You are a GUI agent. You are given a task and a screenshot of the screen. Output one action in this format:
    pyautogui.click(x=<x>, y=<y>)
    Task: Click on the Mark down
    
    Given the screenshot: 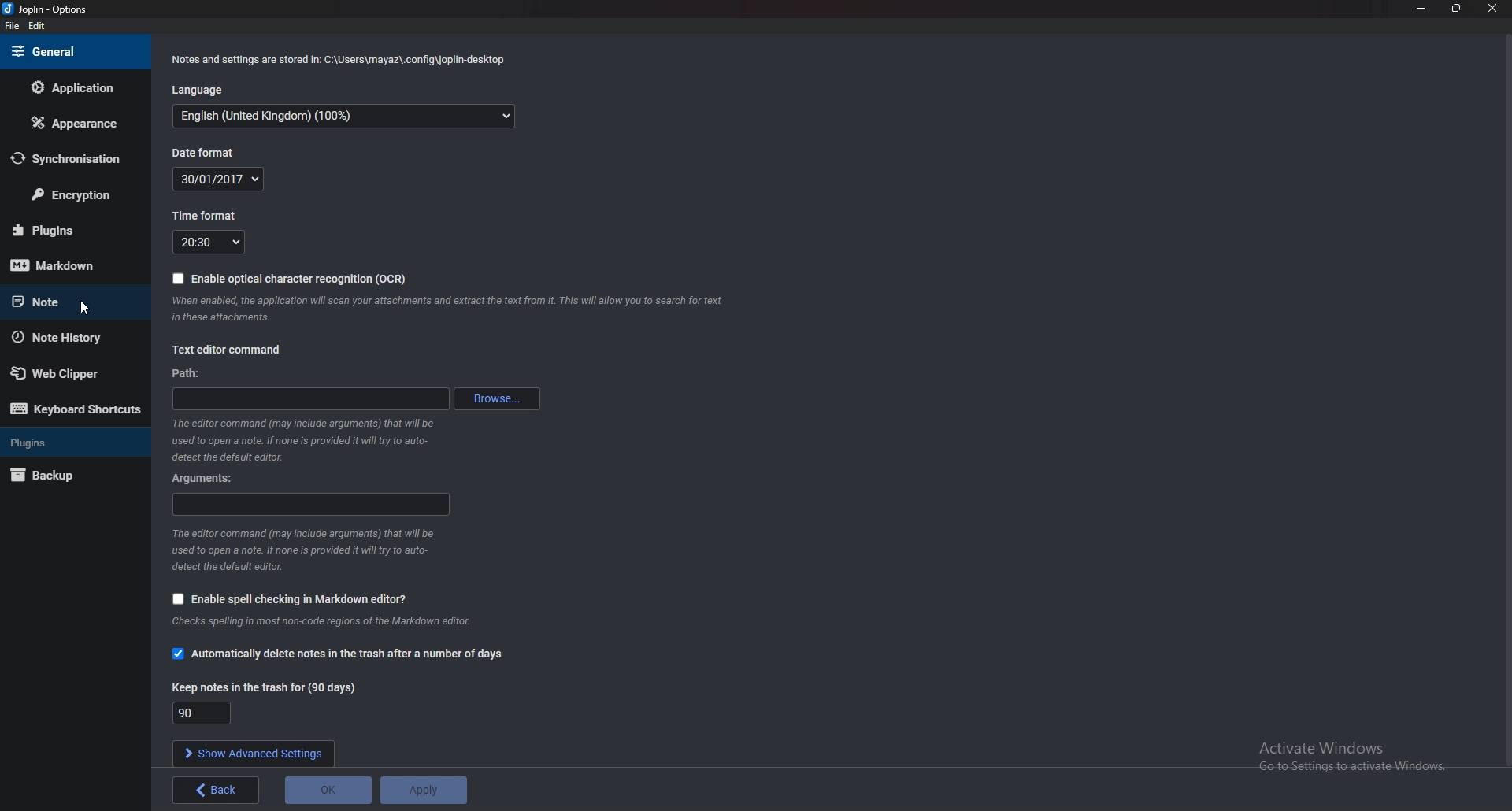 What is the action you would take?
    pyautogui.click(x=73, y=265)
    